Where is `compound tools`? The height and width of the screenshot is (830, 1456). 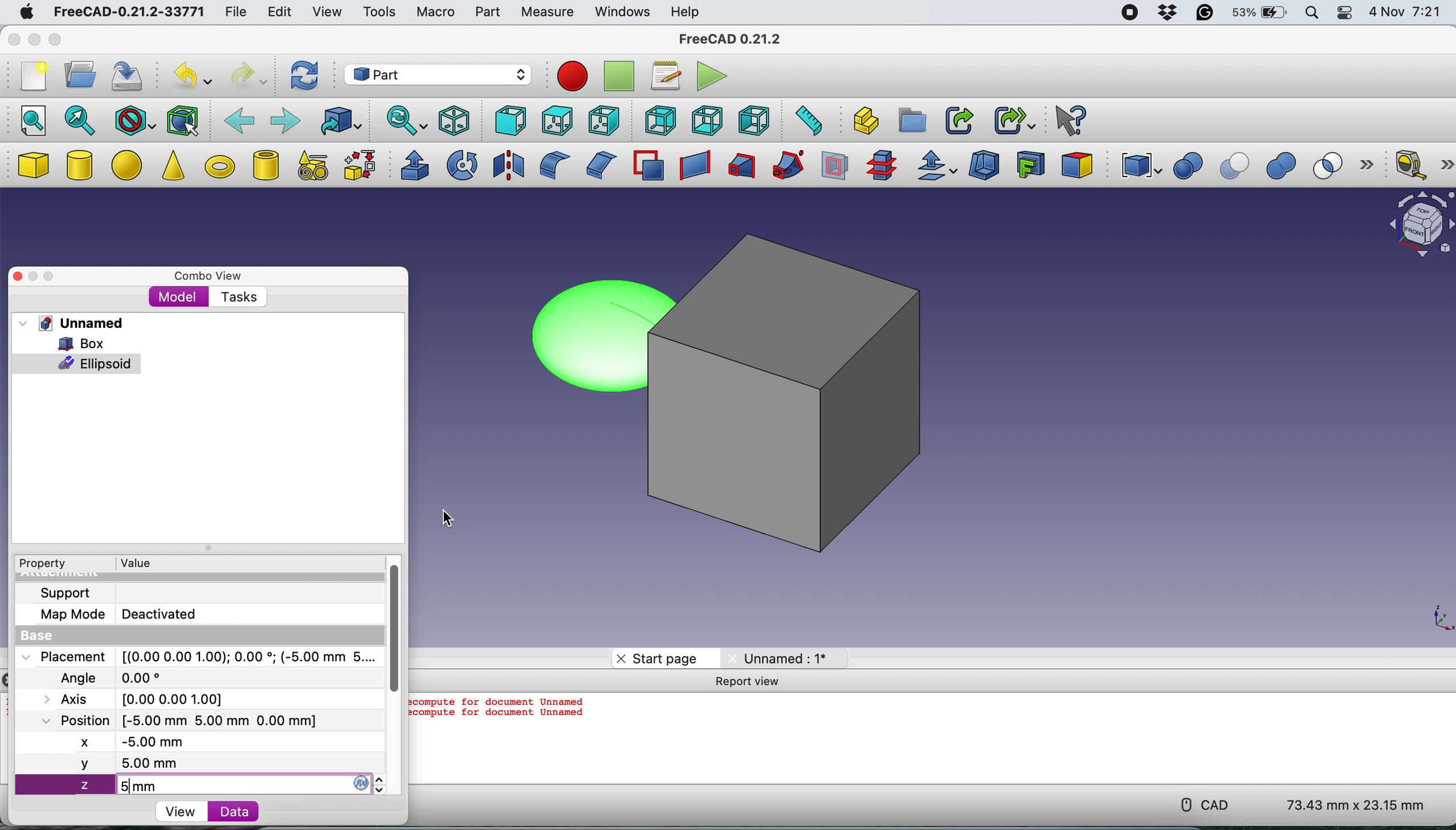
compound tools is located at coordinates (1139, 166).